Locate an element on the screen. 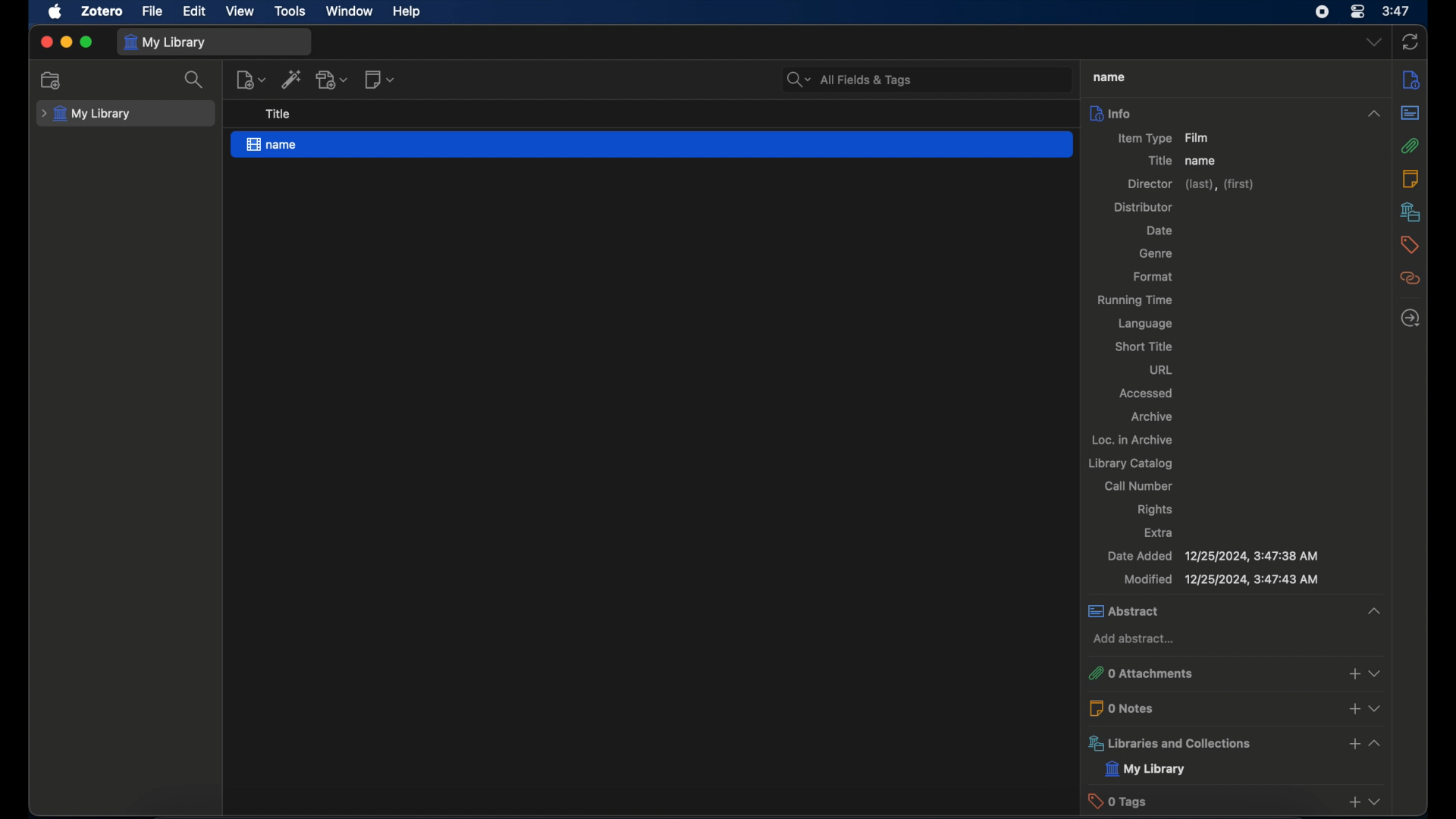  time is located at coordinates (1397, 10).